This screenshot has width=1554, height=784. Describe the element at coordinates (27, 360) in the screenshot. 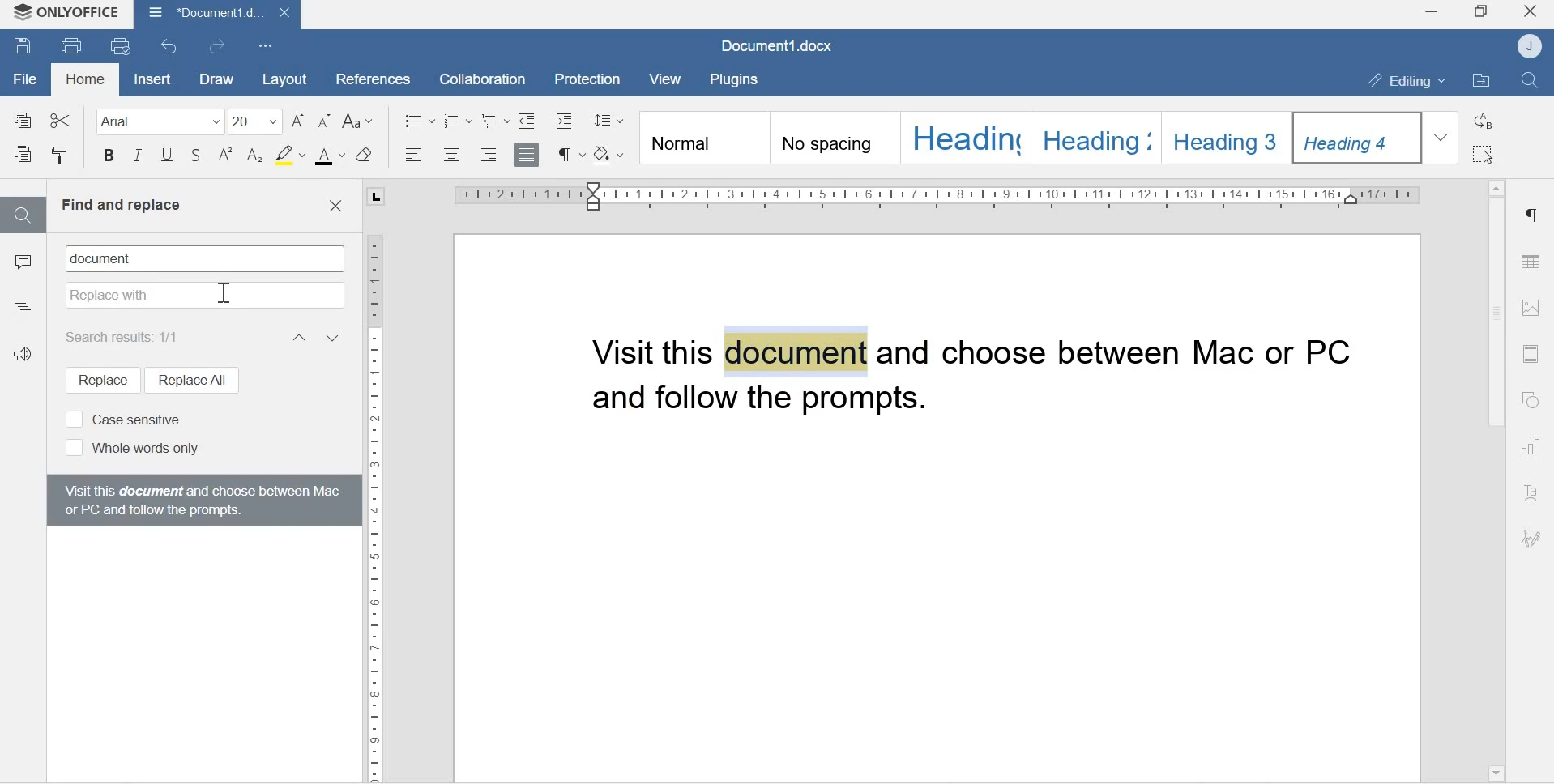

I see `Feedback & Support` at that location.